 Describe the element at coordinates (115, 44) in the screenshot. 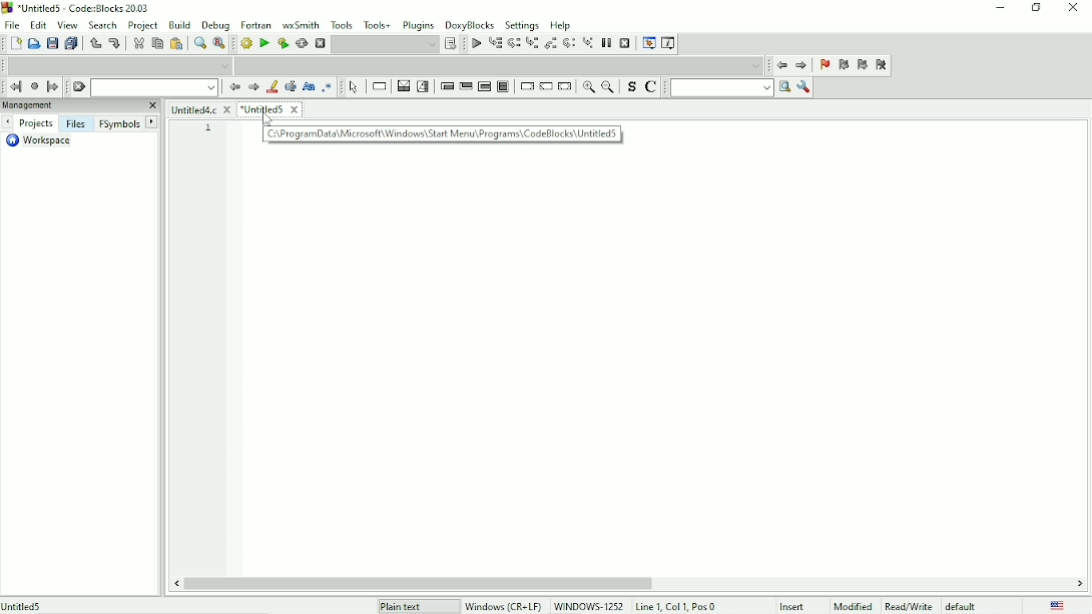

I see `Redo` at that location.